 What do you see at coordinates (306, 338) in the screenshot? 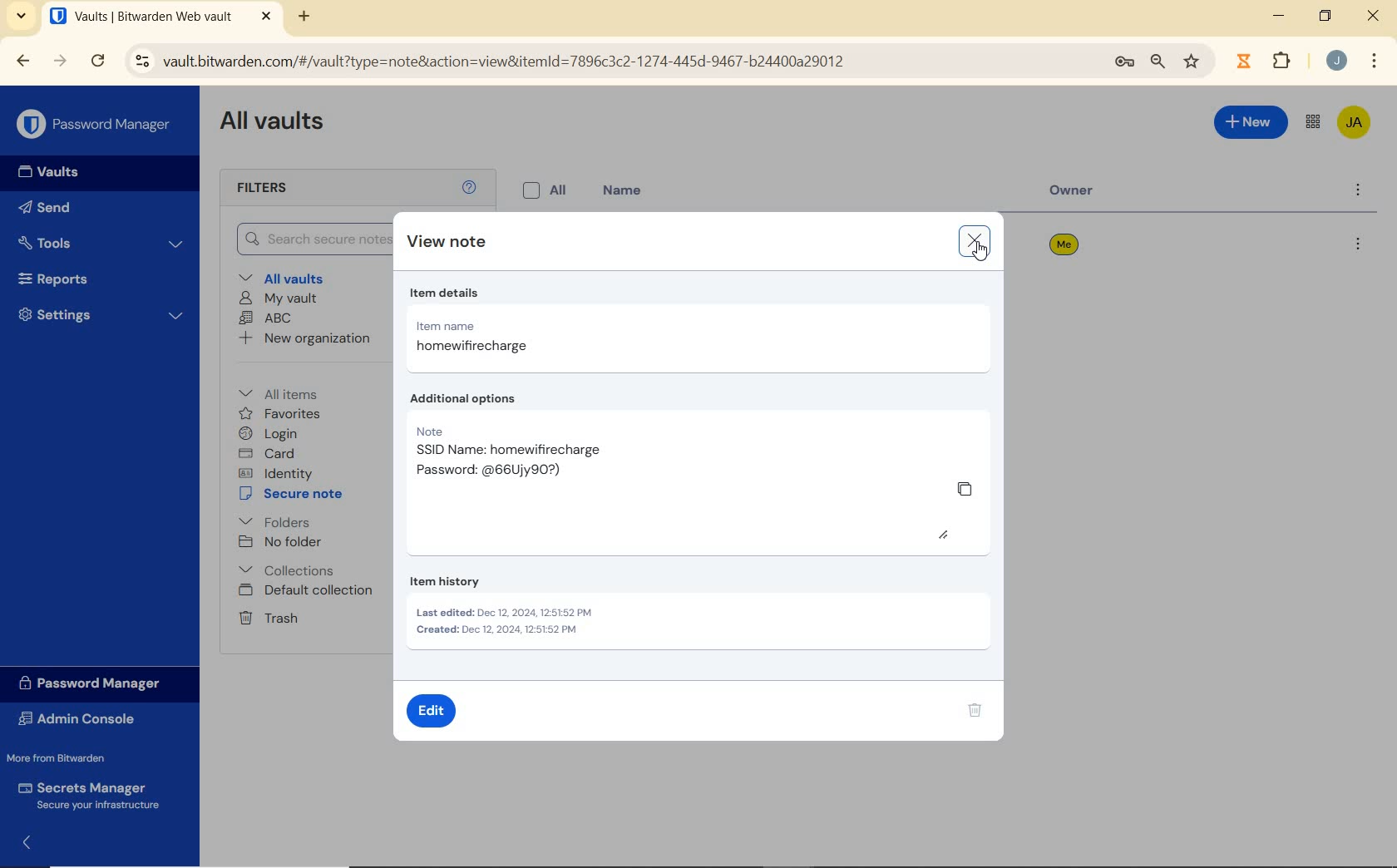
I see `New organization` at bounding box center [306, 338].